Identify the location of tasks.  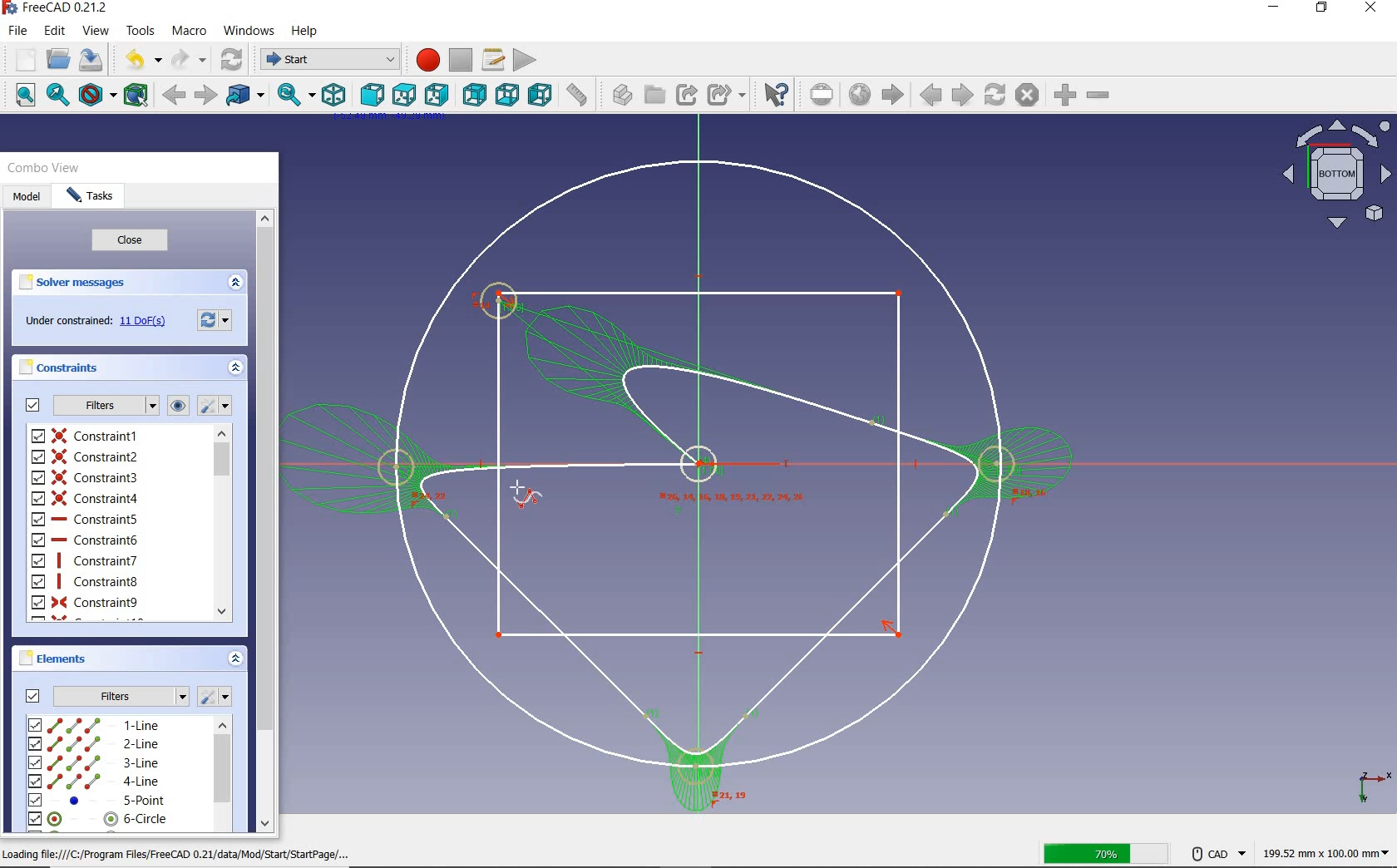
(91, 197).